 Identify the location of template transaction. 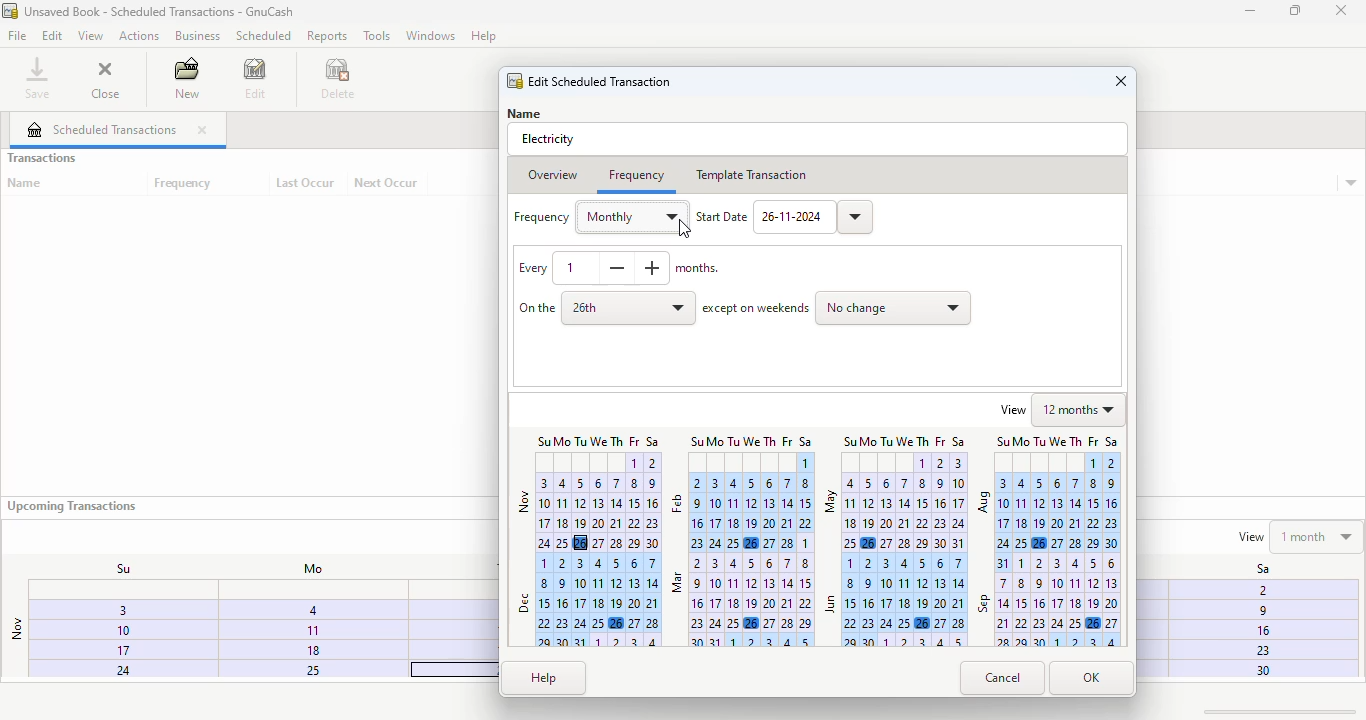
(750, 175).